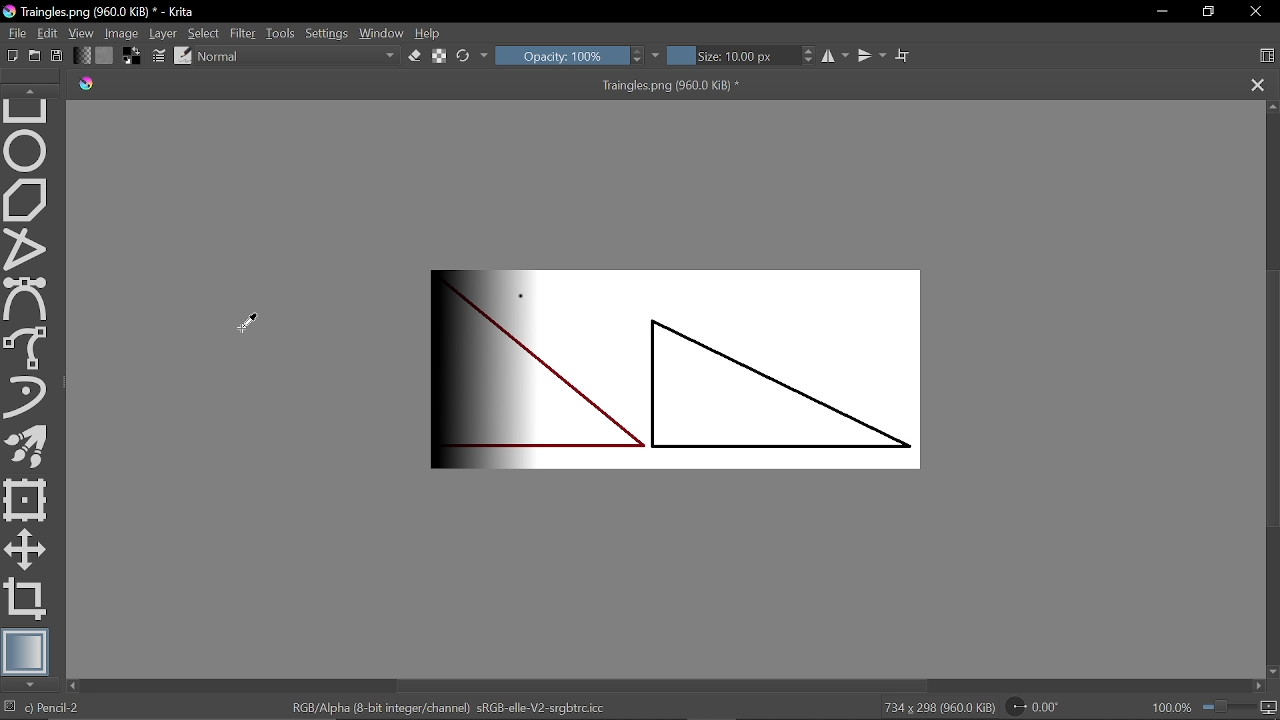  What do you see at coordinates (414, 57) in the screenshot?
I see `Eraser` at bounding box center [414, 57].